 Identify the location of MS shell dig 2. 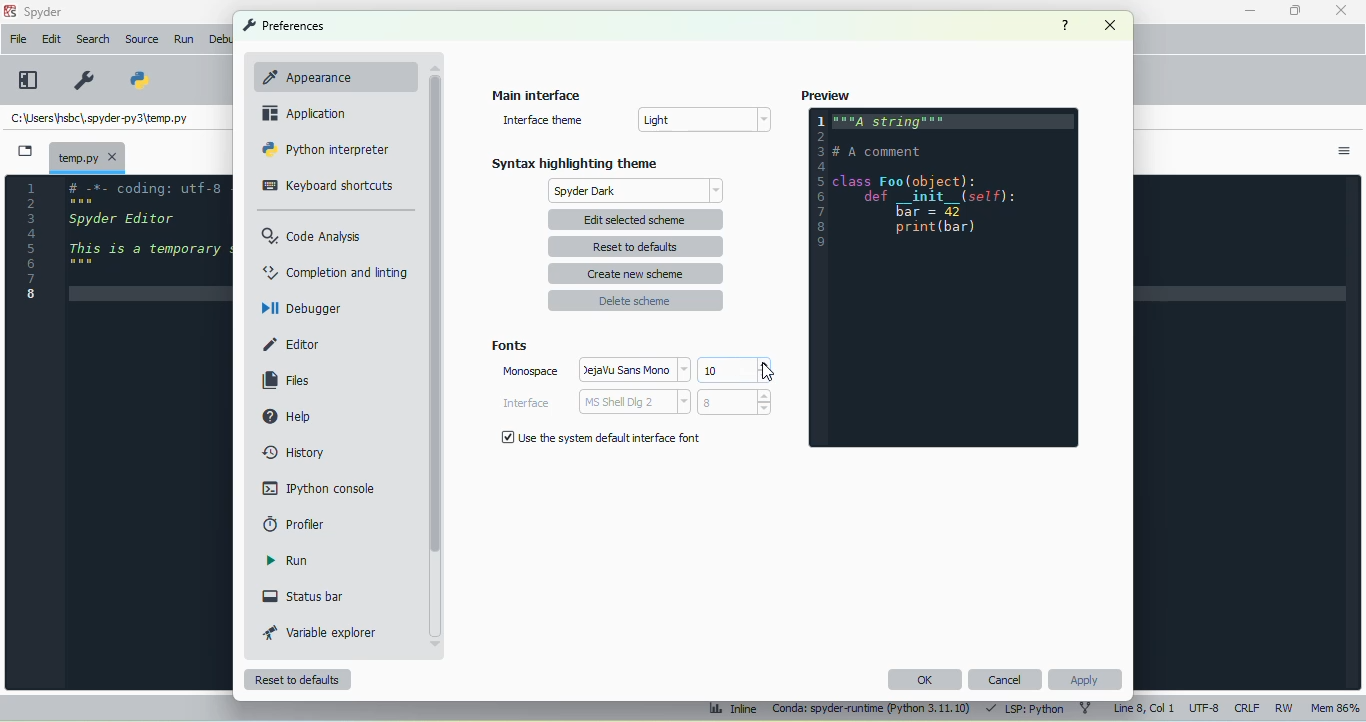
(634, 402).